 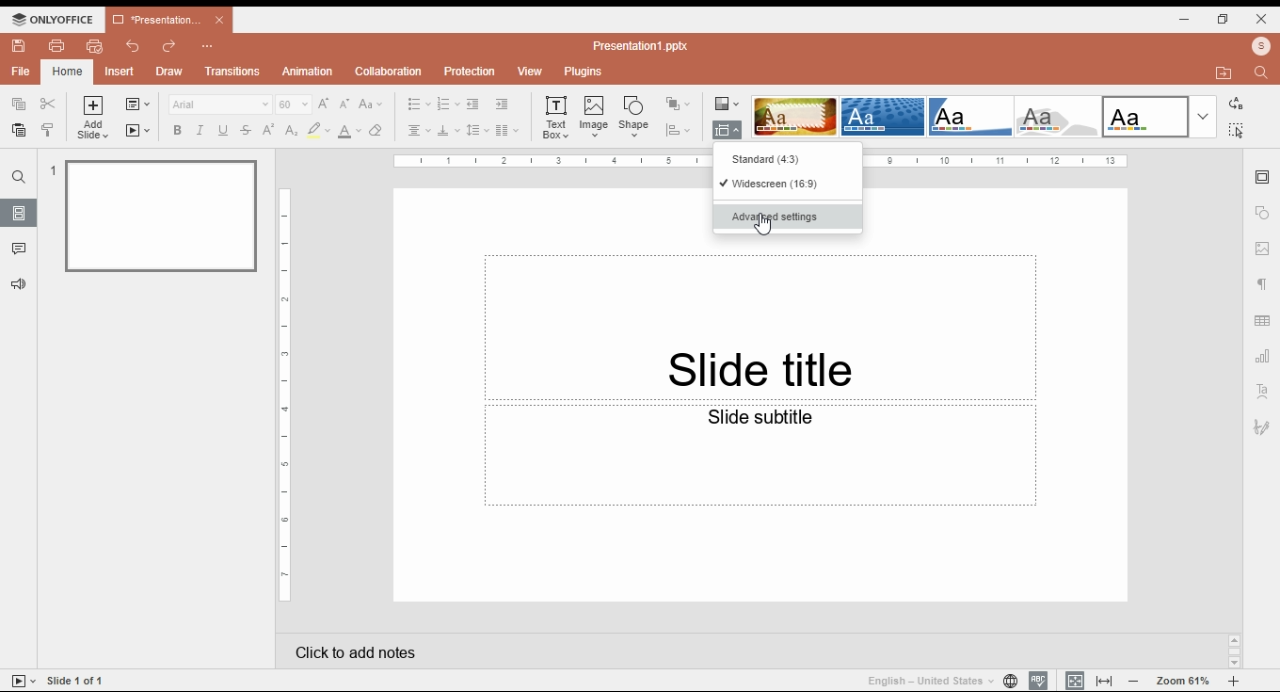 What do you see at coordinates (219, 104) in the screenshot?
I see `Arial` at bounding box center [219, 104].